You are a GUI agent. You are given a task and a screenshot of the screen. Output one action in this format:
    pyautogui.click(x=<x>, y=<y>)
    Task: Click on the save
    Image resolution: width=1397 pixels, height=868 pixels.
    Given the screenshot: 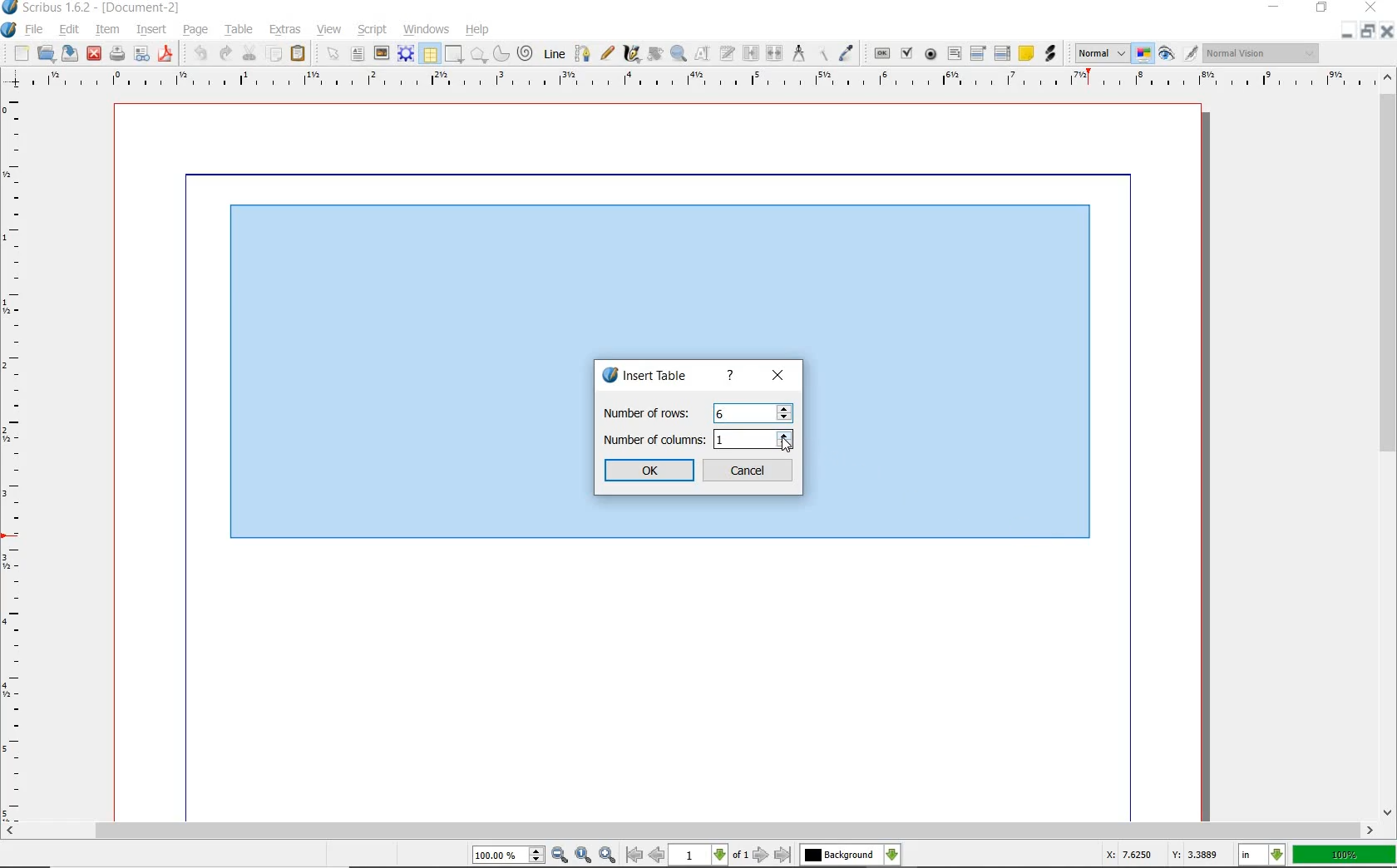 What is the action you would take?
    pyautogui.click(x=69, y=55)
    